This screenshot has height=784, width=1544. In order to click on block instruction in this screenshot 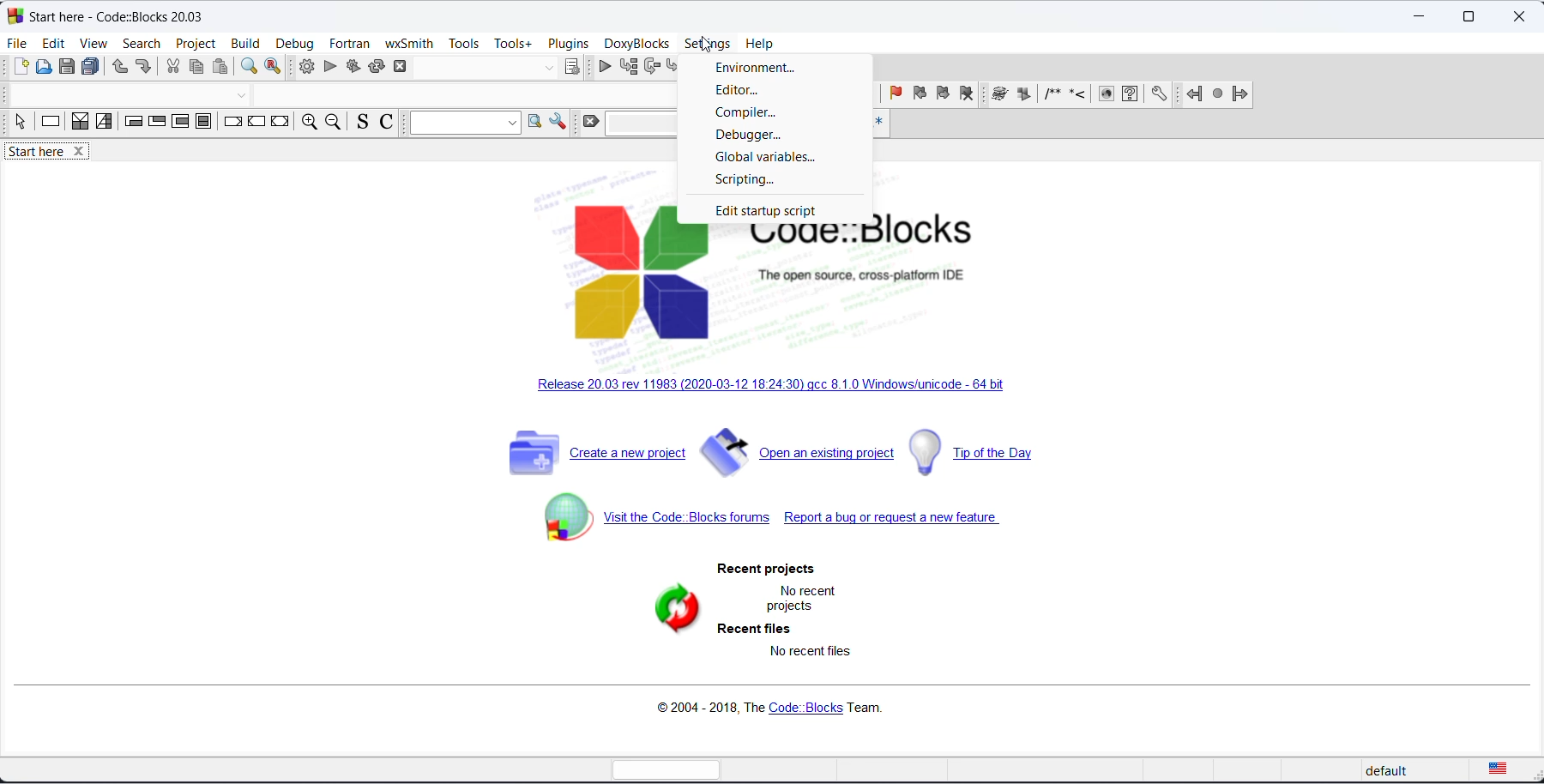, I will do `click(204, 122)`.